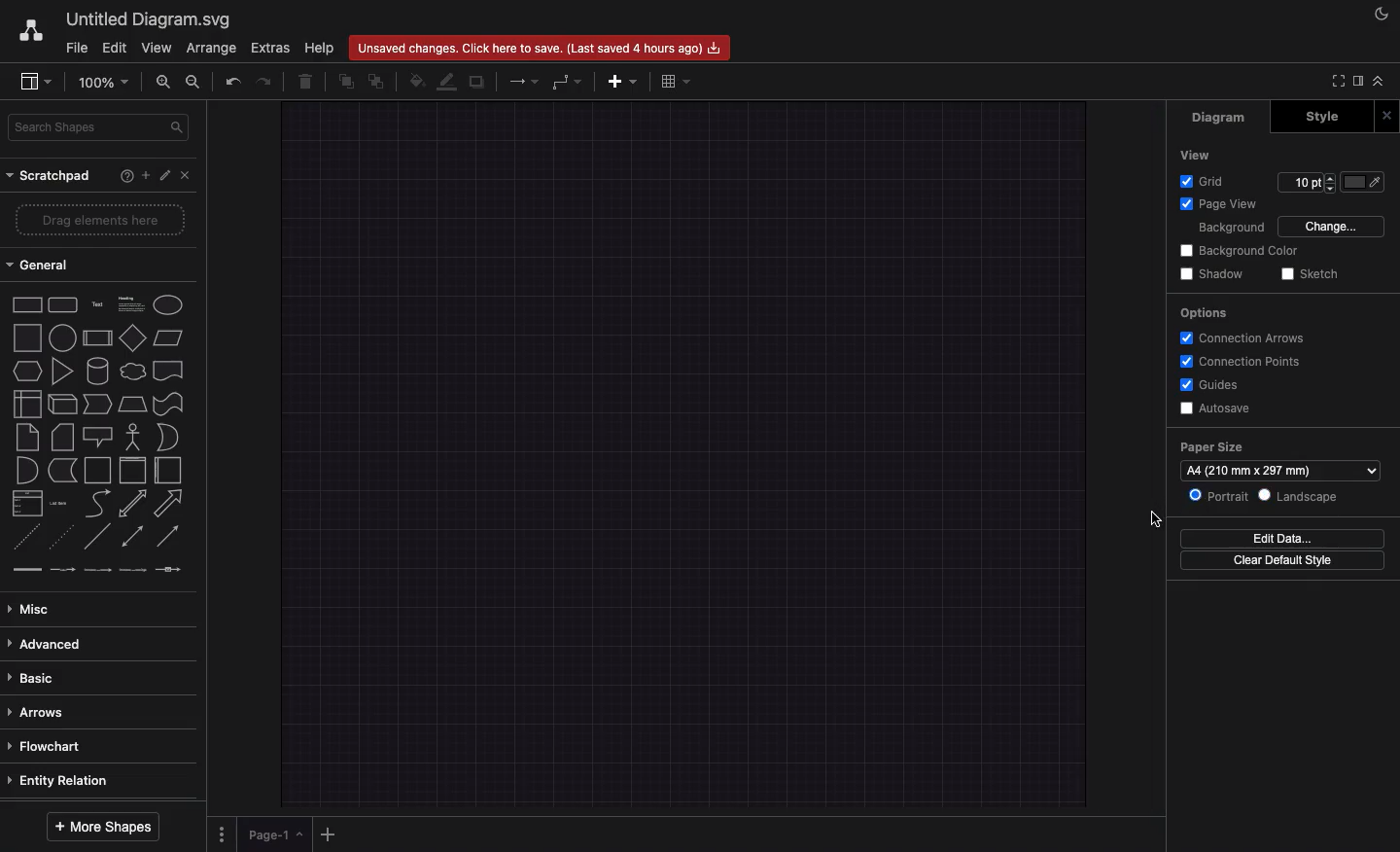  I want to click on Collapse, so click(1381, 83).